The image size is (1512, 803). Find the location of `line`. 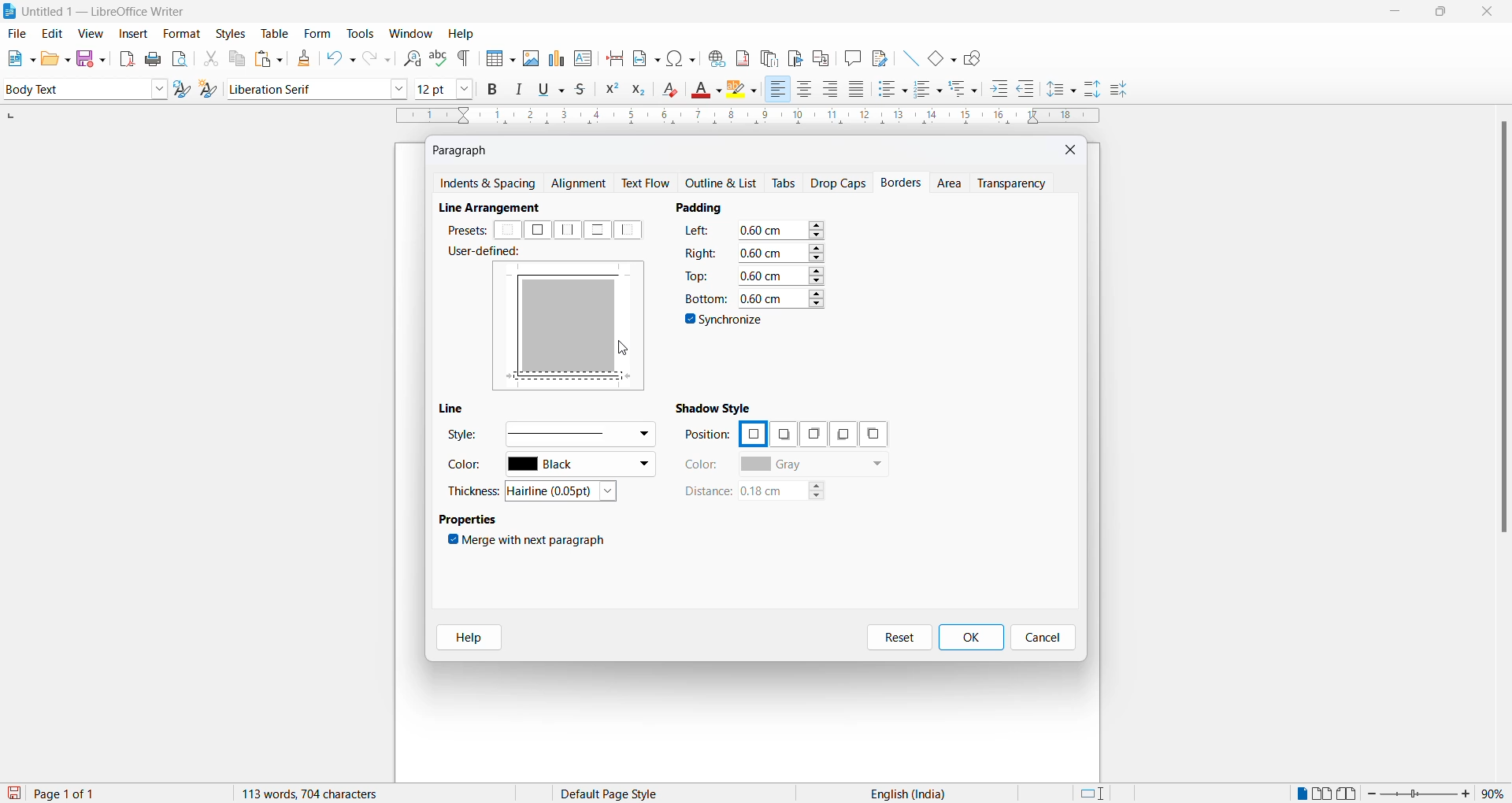

line is located at coordinates (906, 56).